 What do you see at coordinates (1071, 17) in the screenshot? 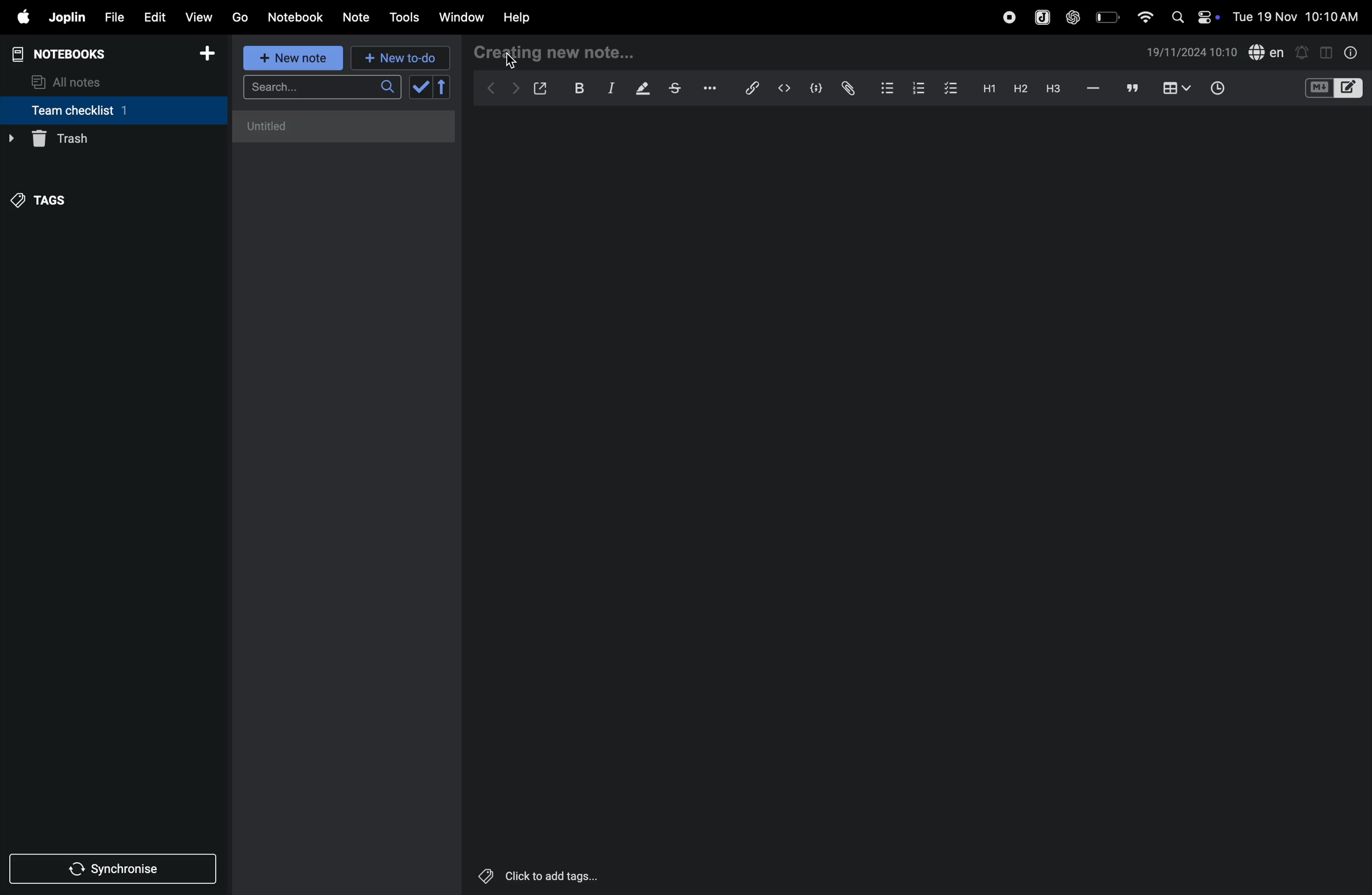
I see `chat gpt` at bounding box center [1071, 17].